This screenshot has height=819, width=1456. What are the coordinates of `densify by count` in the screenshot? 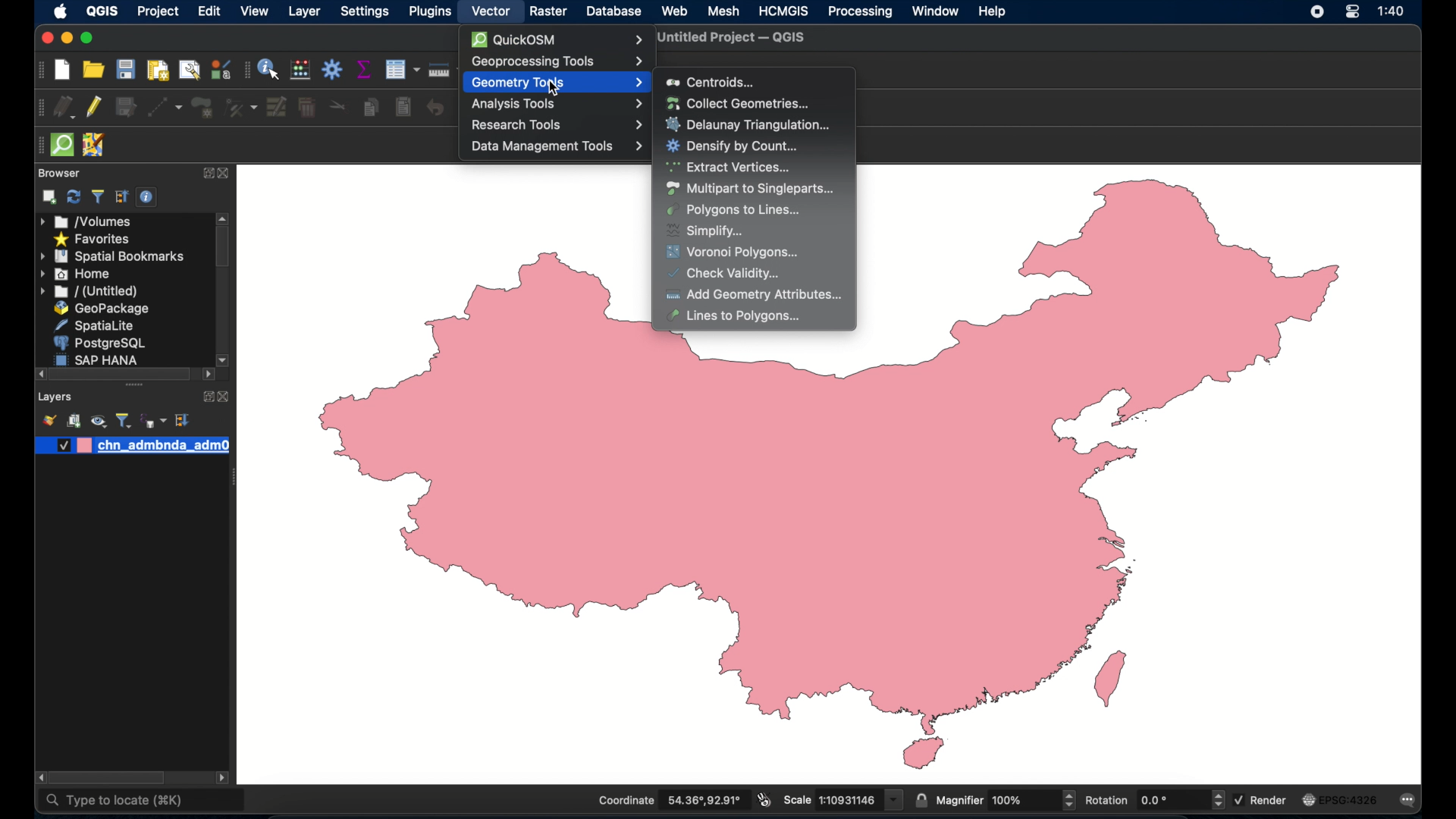 It's located at (733, 147).